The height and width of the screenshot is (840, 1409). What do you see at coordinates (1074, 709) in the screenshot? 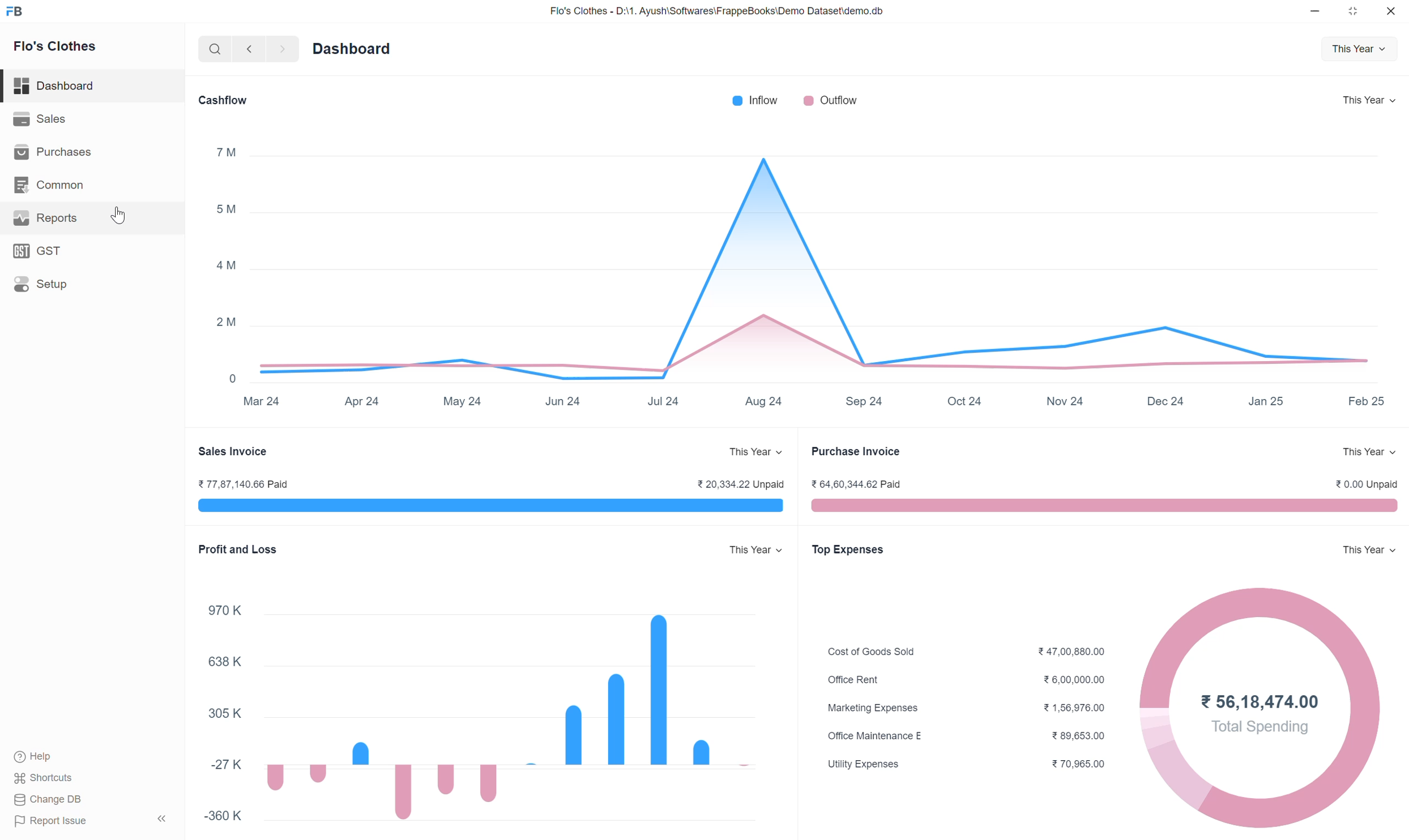
I see `1,56,976.00` at bounding box center [1074, 709].